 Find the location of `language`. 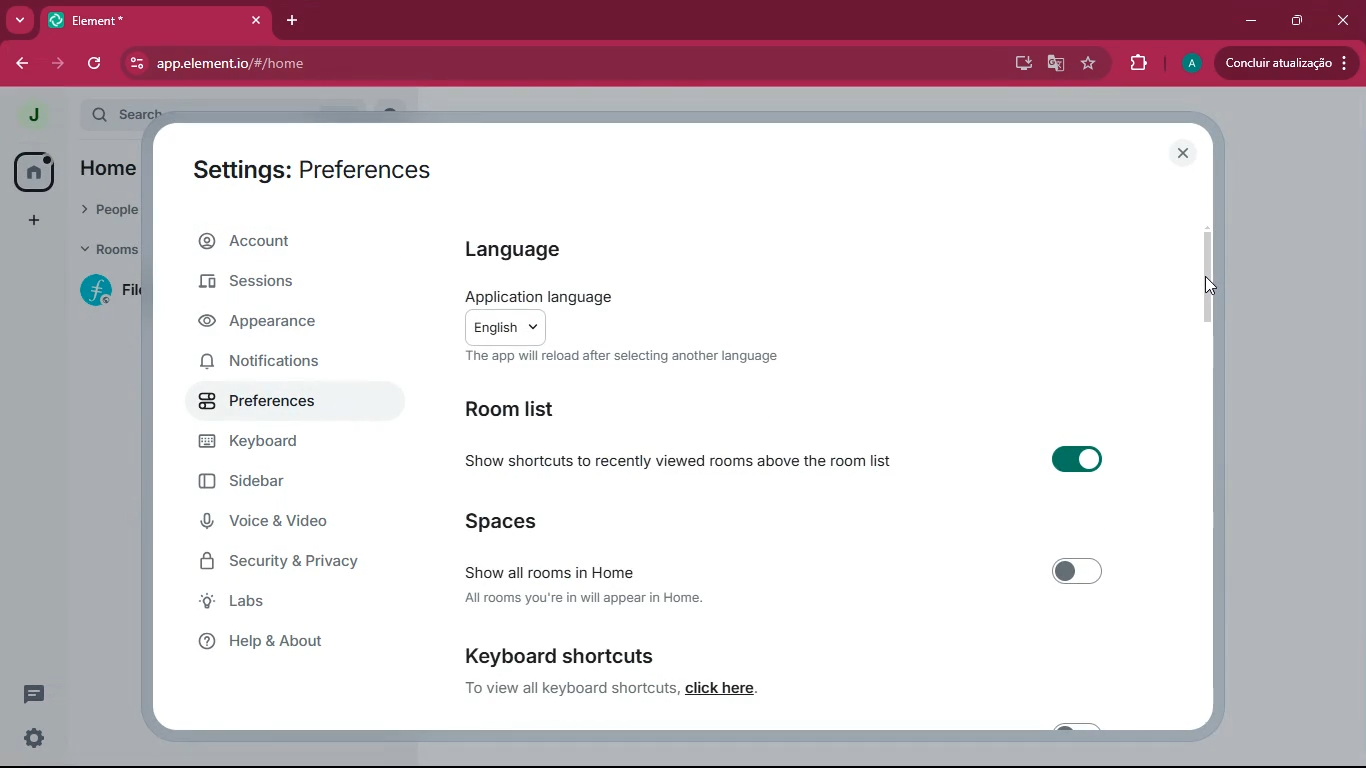

language is located at coordinates (633, 315).